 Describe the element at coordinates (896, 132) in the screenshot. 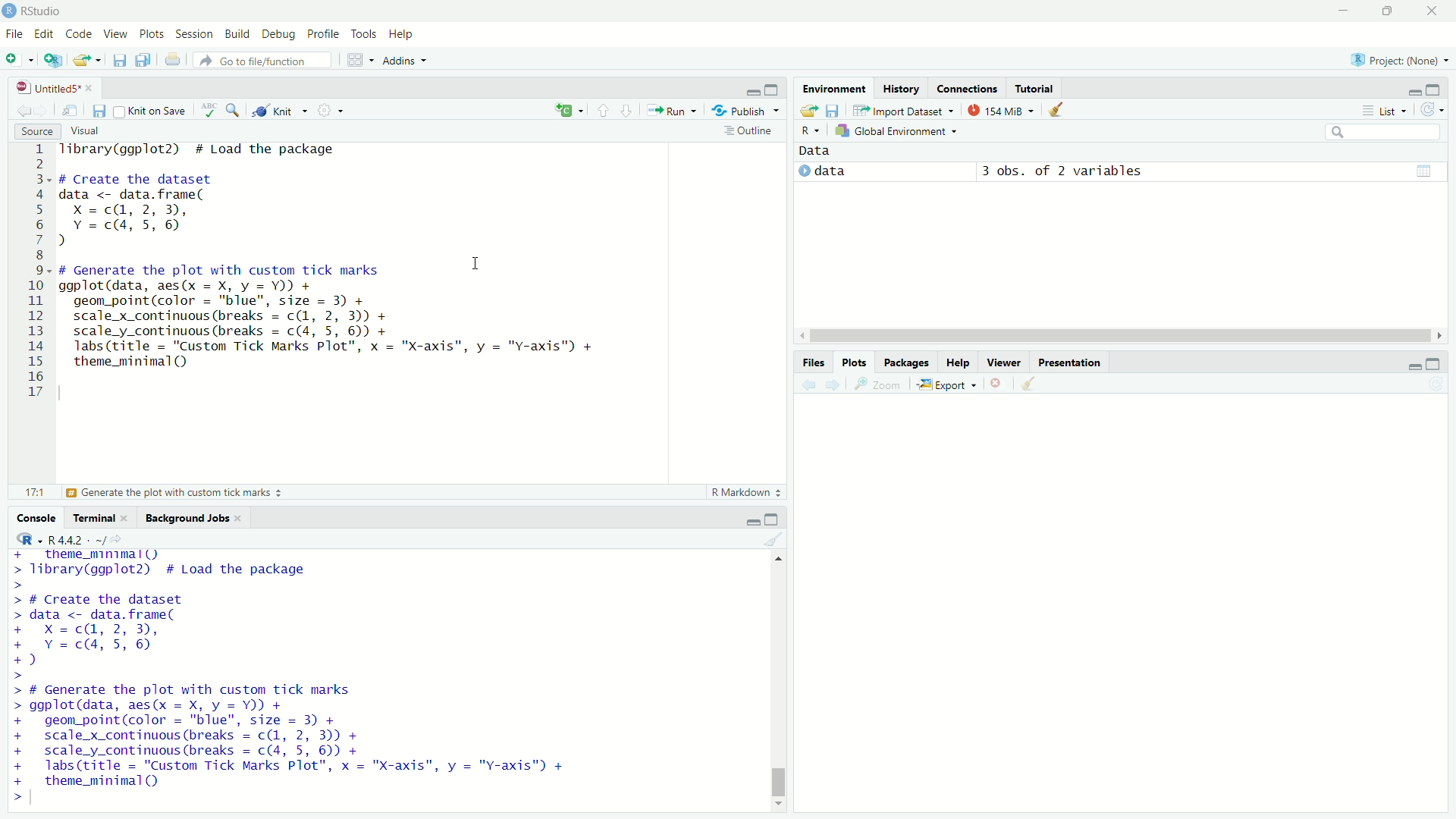

I see `global environment` at that location.